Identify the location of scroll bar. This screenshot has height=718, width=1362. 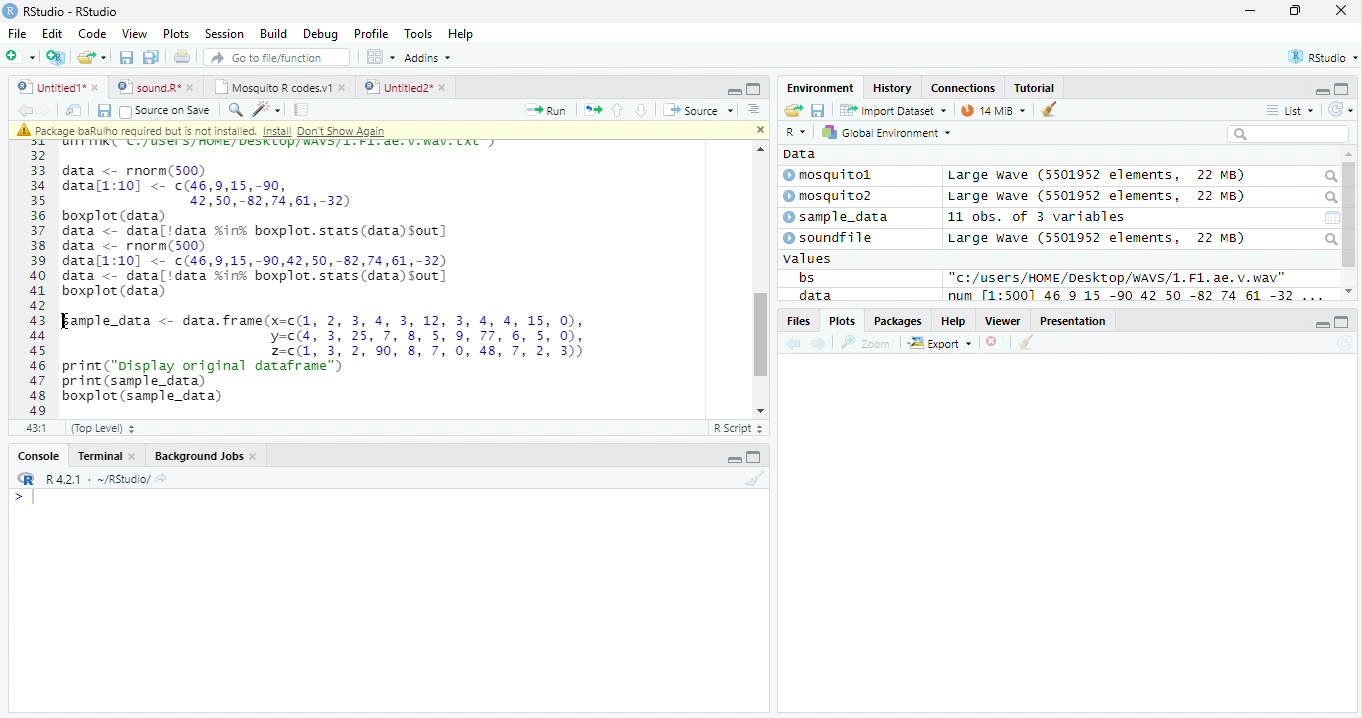
(1350, 215).